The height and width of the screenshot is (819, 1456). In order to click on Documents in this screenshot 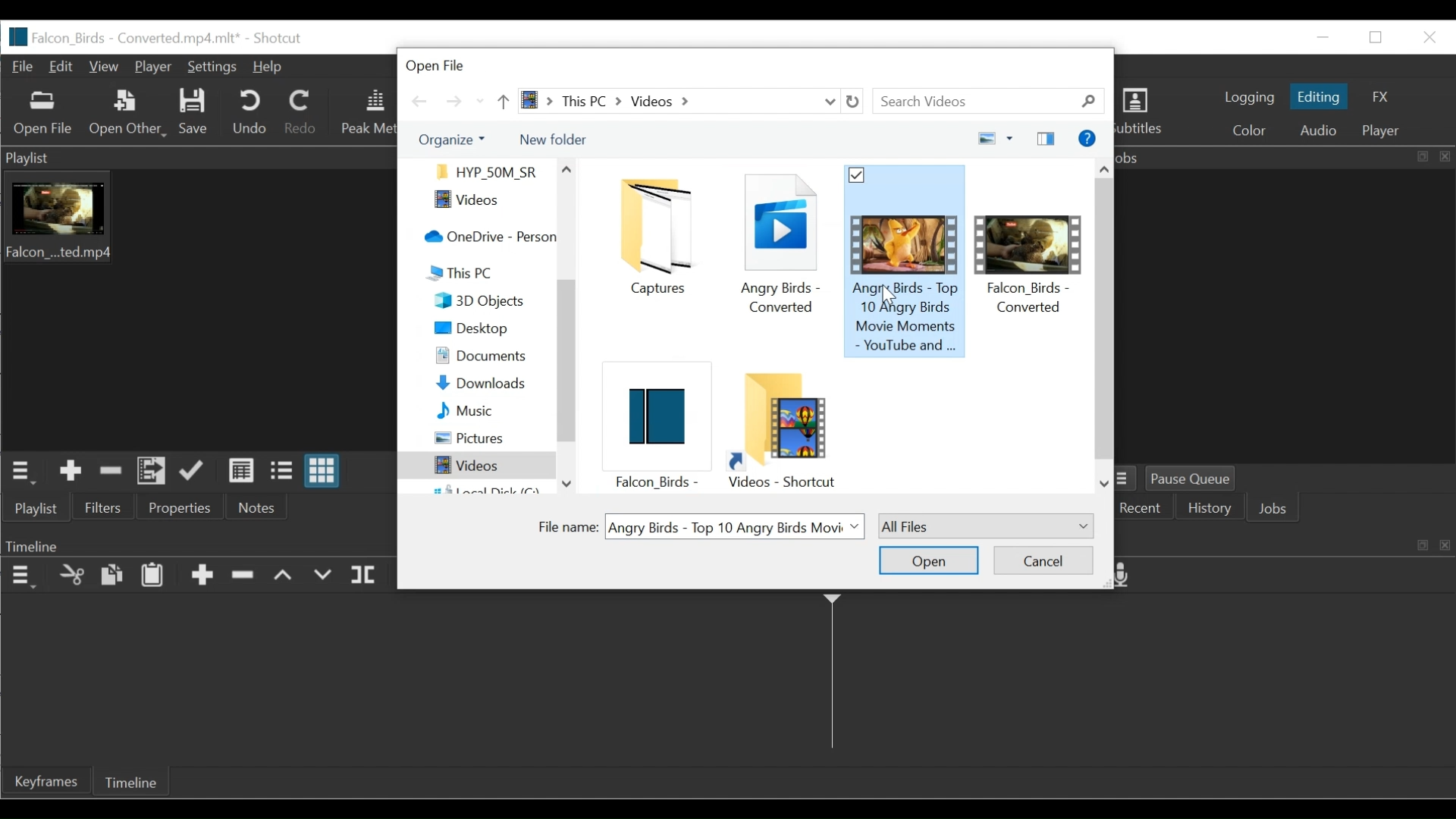, I will do `click(484, 356)`.